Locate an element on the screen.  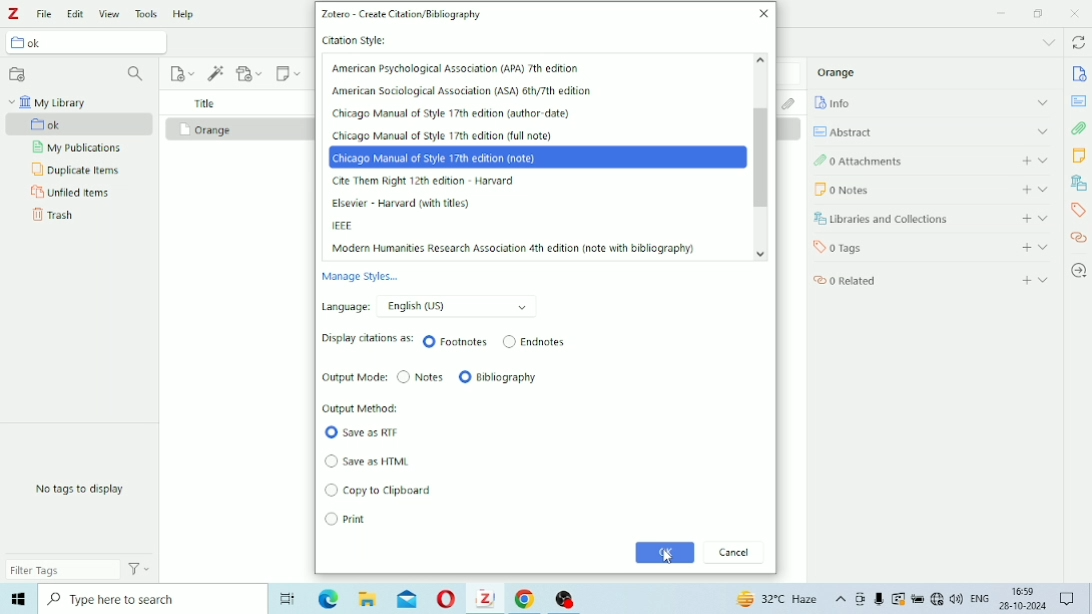
New Item is located at coordinates (184, 73).